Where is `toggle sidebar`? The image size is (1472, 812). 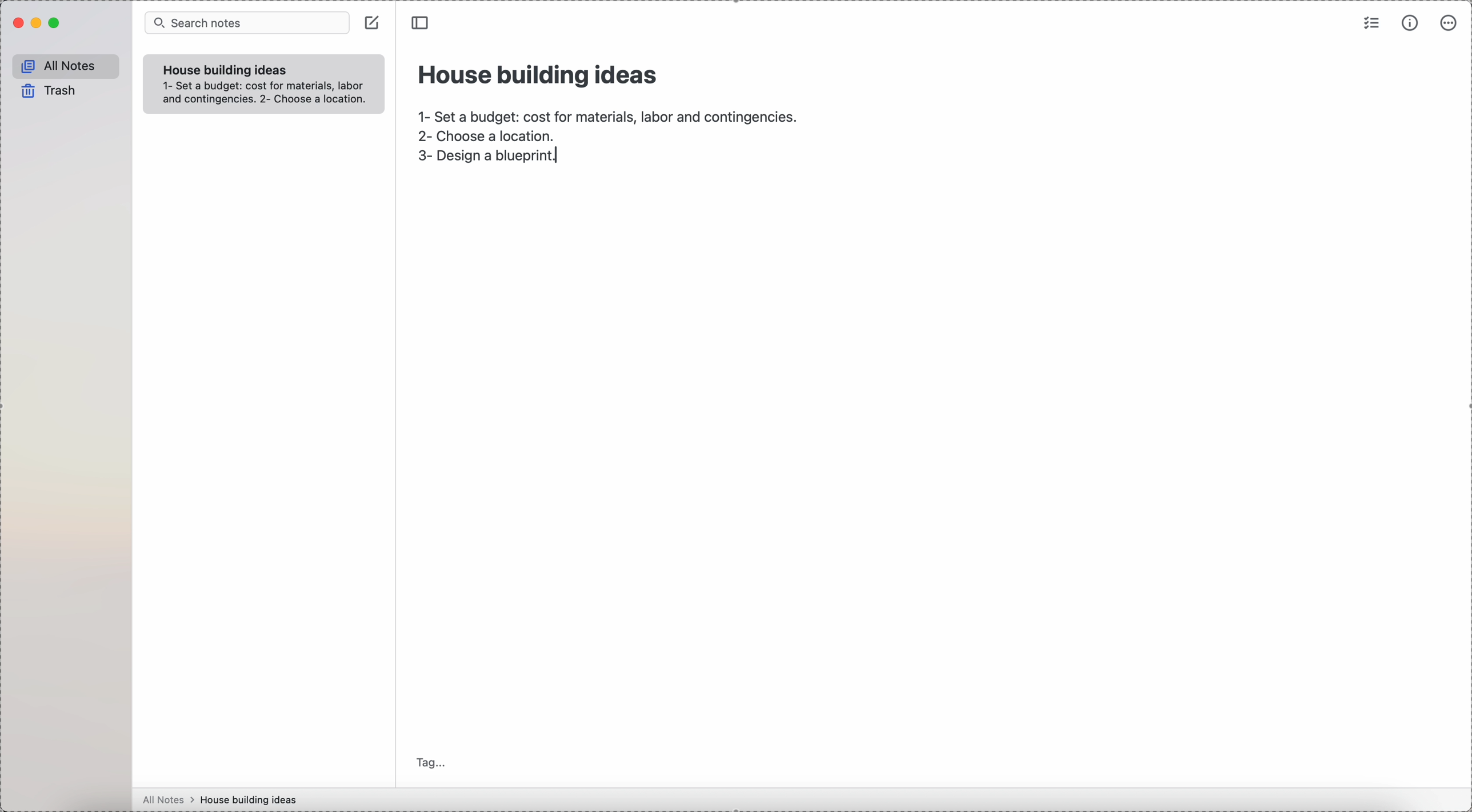
toggle sidebar is located at coordinates (422, 23).